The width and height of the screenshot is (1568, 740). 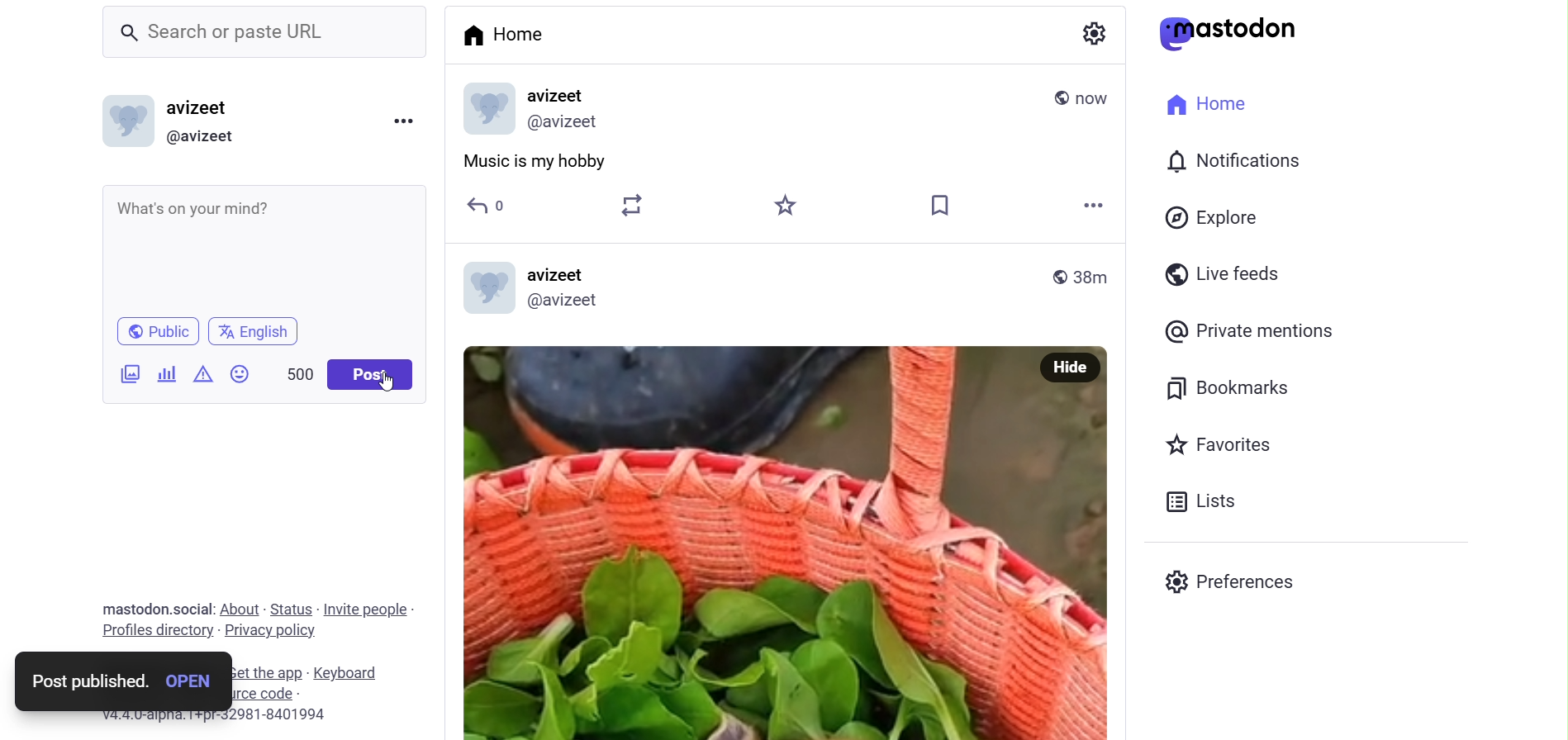 I want to click on 38m, so click(x=1095, y=273).